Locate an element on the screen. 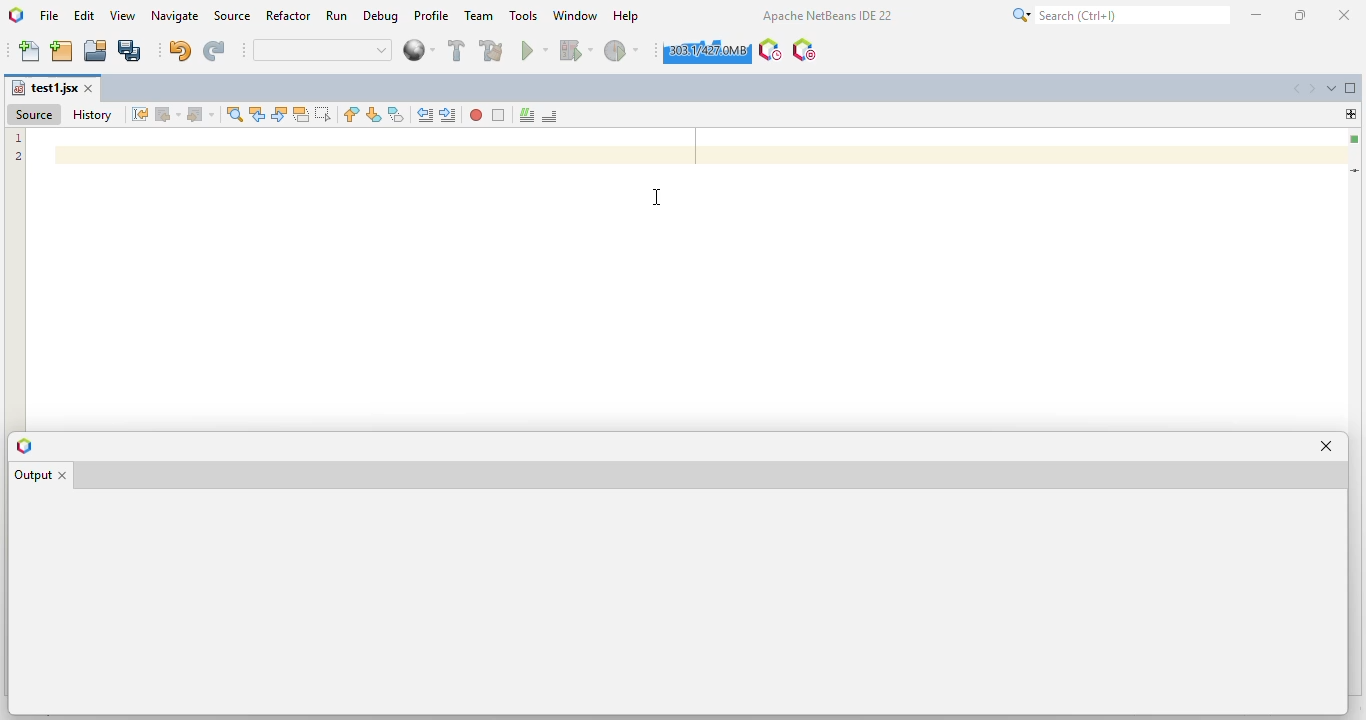 The height and width of the screenshot is (720, 1366). maximize window is located at coordinates (1351, 87).